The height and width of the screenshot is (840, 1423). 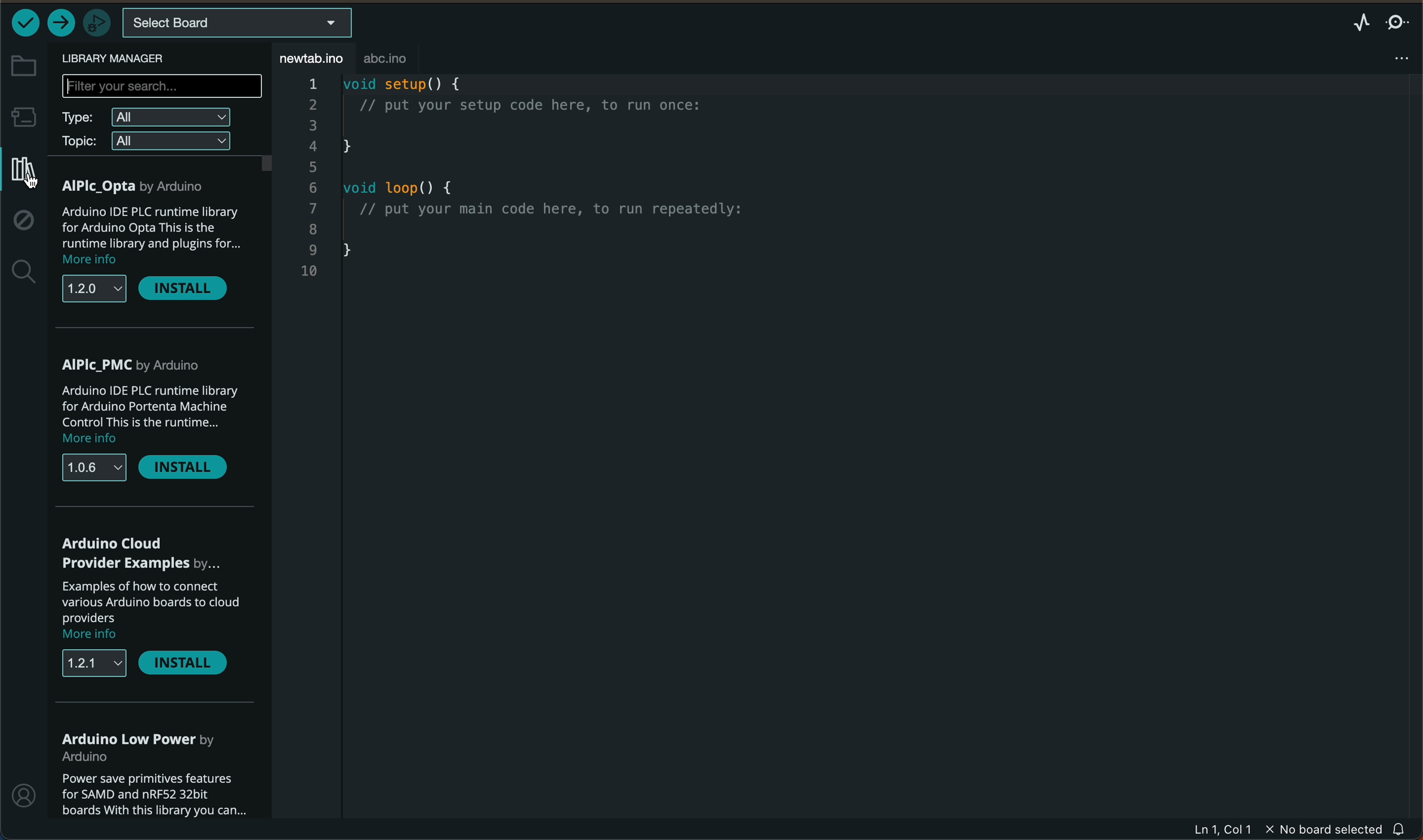 I want to click on verify, so click(x=26, y=22).